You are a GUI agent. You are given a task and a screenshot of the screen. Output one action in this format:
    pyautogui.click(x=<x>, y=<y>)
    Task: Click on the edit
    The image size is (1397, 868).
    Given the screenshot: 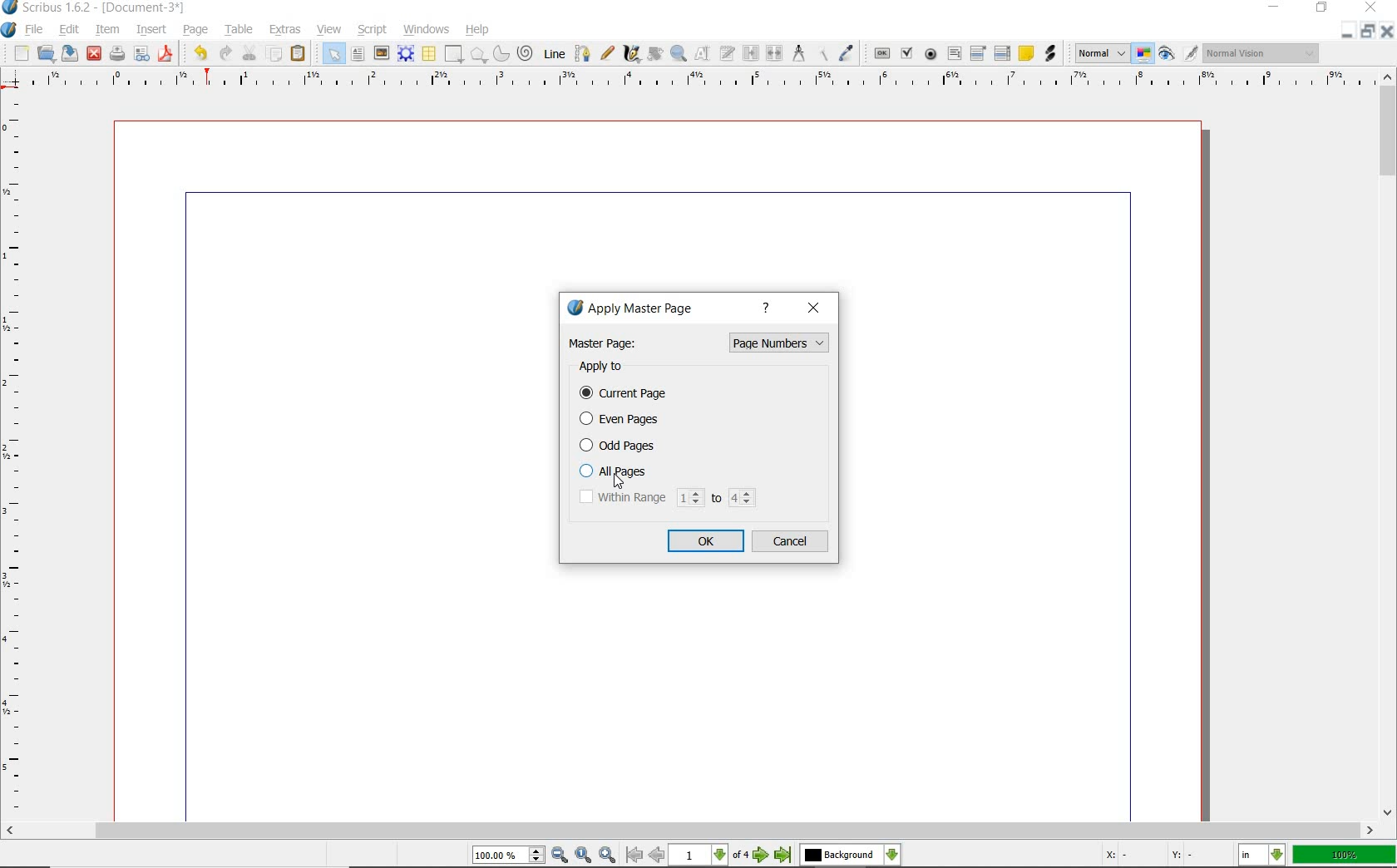 What is the action you would take?
    pyautogui.click(x=67, y=28)
    